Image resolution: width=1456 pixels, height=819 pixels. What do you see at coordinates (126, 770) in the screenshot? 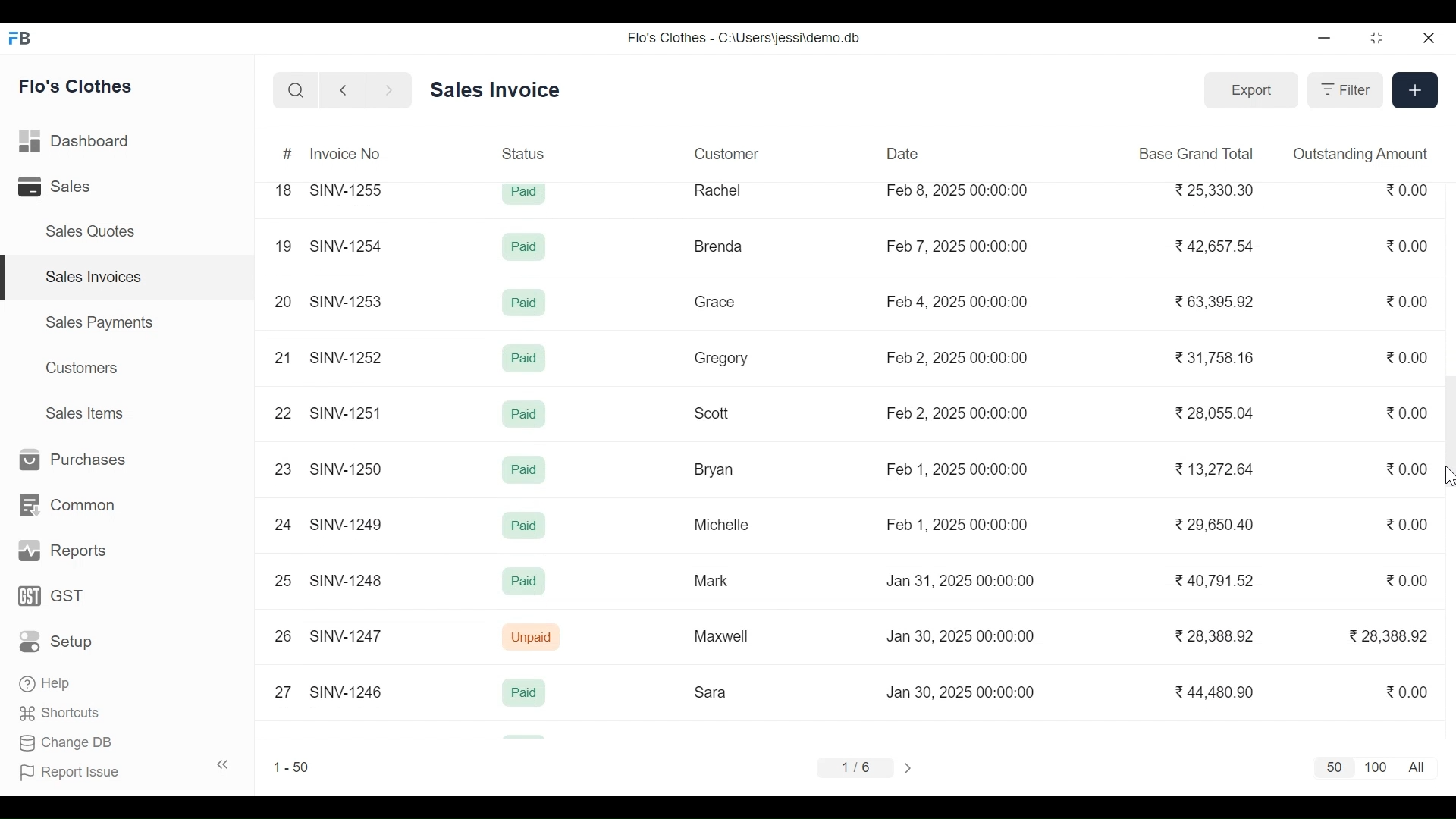
I see `| Report Issue` at bounding box center [126, 770].